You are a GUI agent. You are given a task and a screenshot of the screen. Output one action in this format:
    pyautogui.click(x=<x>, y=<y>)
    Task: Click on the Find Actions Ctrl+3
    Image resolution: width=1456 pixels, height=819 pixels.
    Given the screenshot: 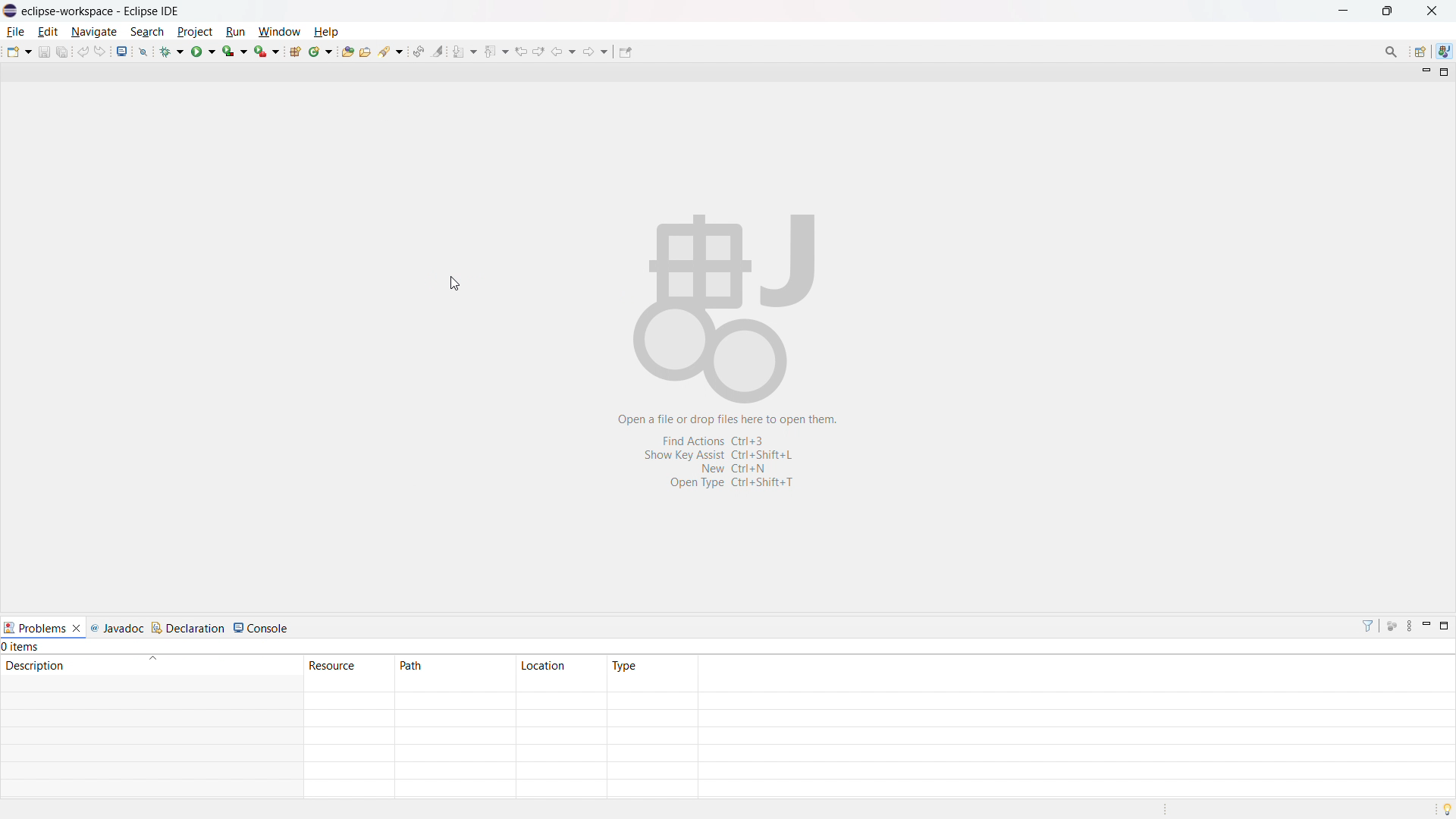 What is the action you would take?
    pyautogui.click(x=728, y=440)
    